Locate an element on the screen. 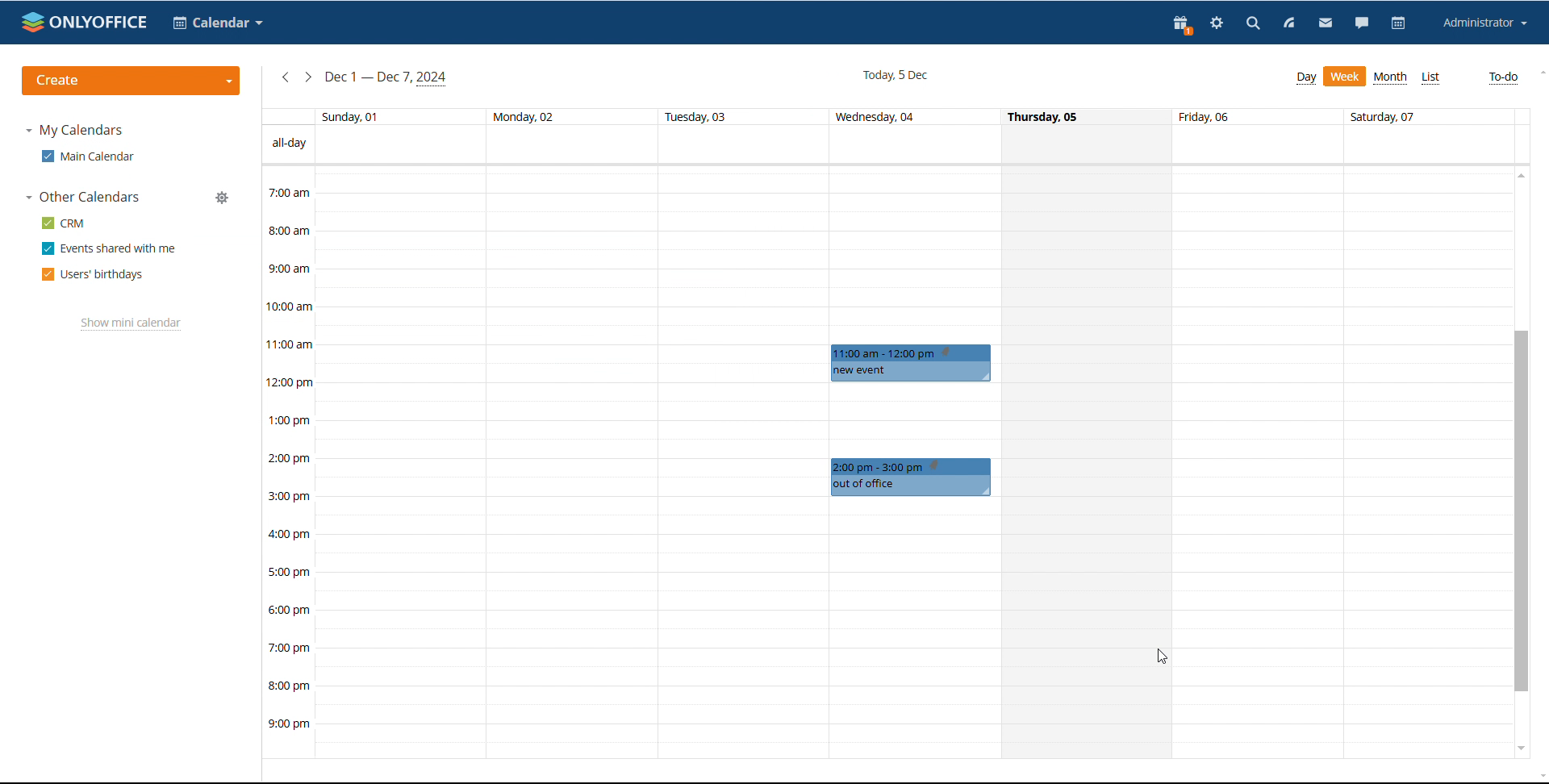 This screenshot has height=784, width=1549. 30 min span is located at coordinates (658, 316).